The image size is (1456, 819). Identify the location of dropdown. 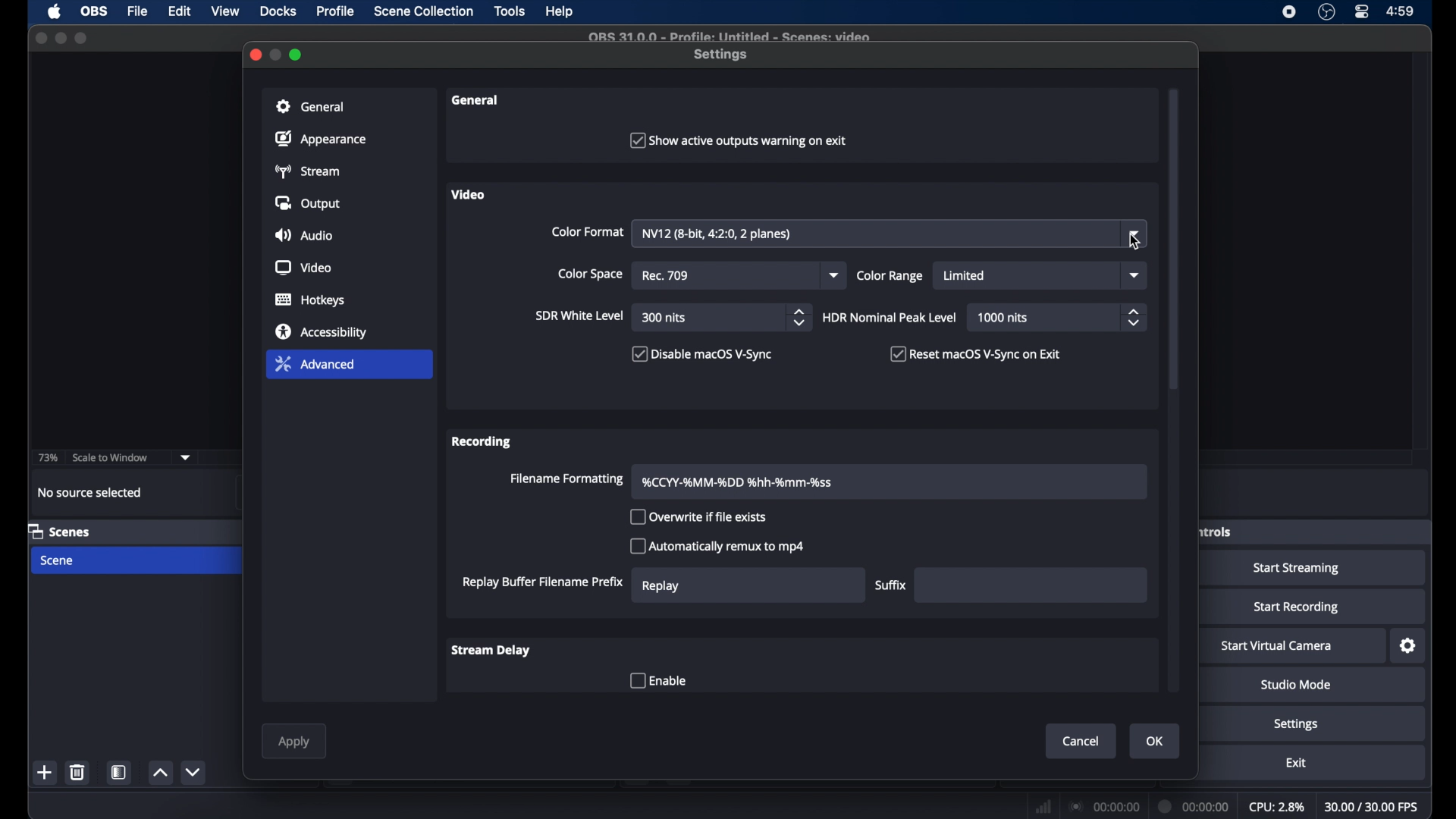
(186, 457).